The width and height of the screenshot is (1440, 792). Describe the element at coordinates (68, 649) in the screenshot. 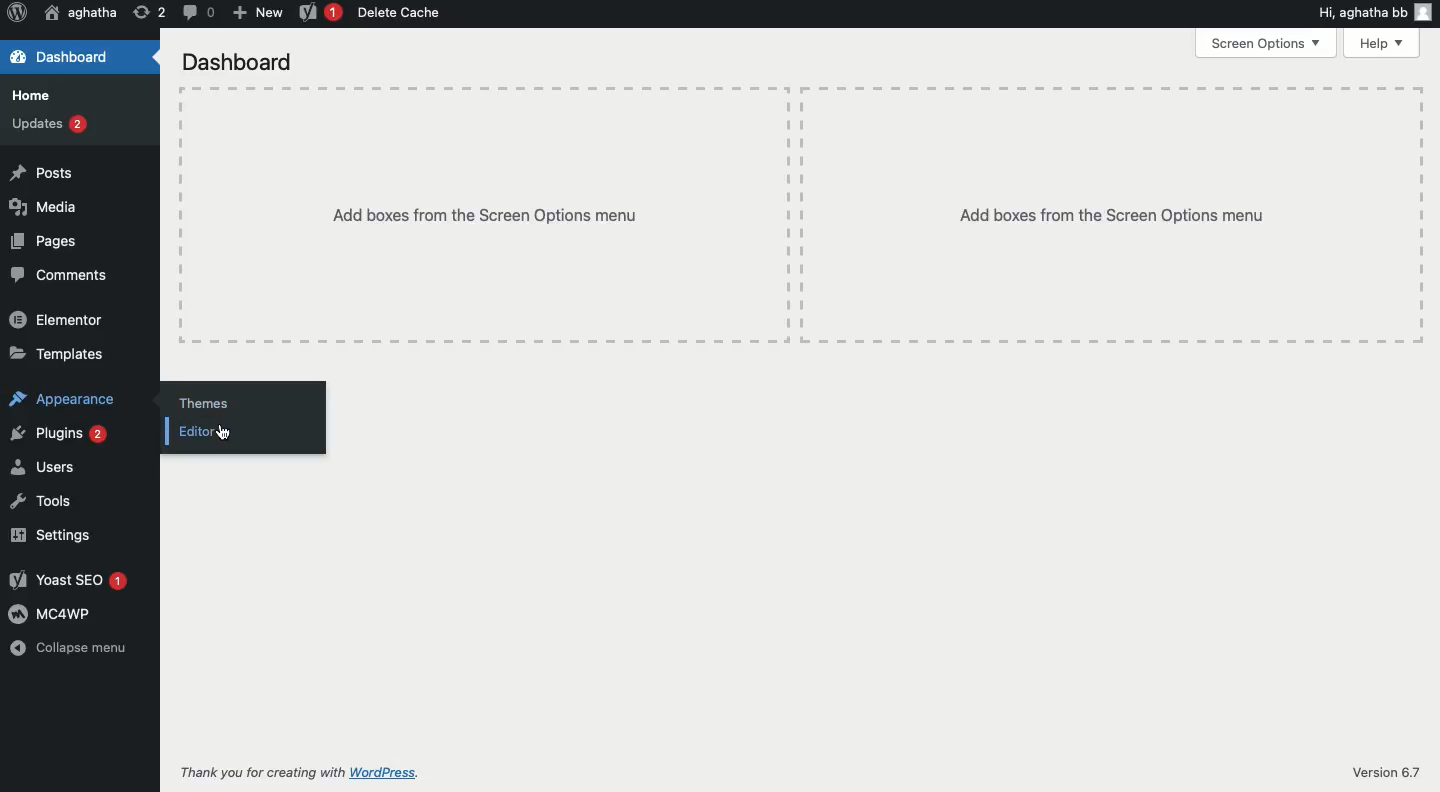

I see `Collapse menu` at that location.